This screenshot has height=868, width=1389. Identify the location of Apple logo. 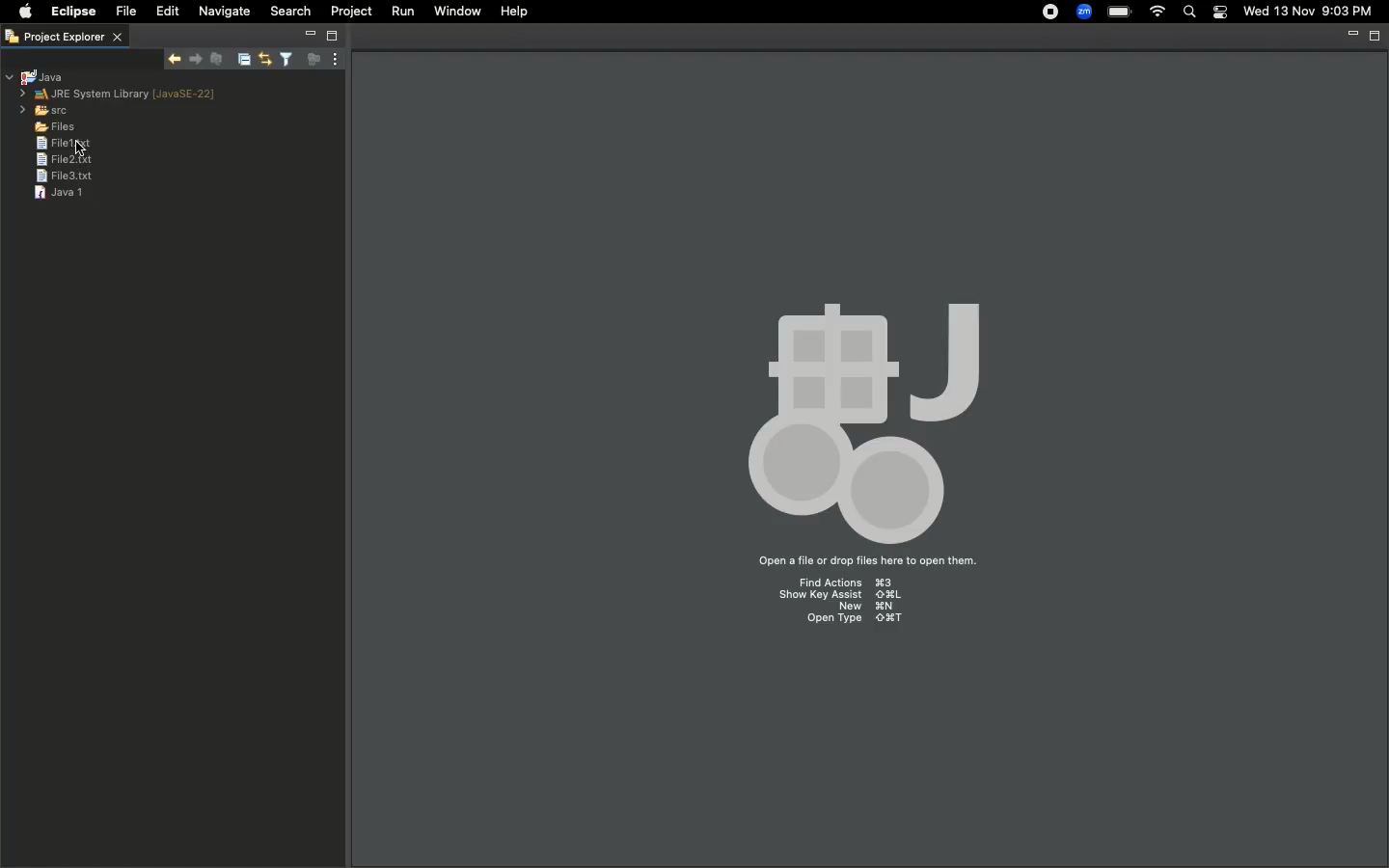
(21, 14).